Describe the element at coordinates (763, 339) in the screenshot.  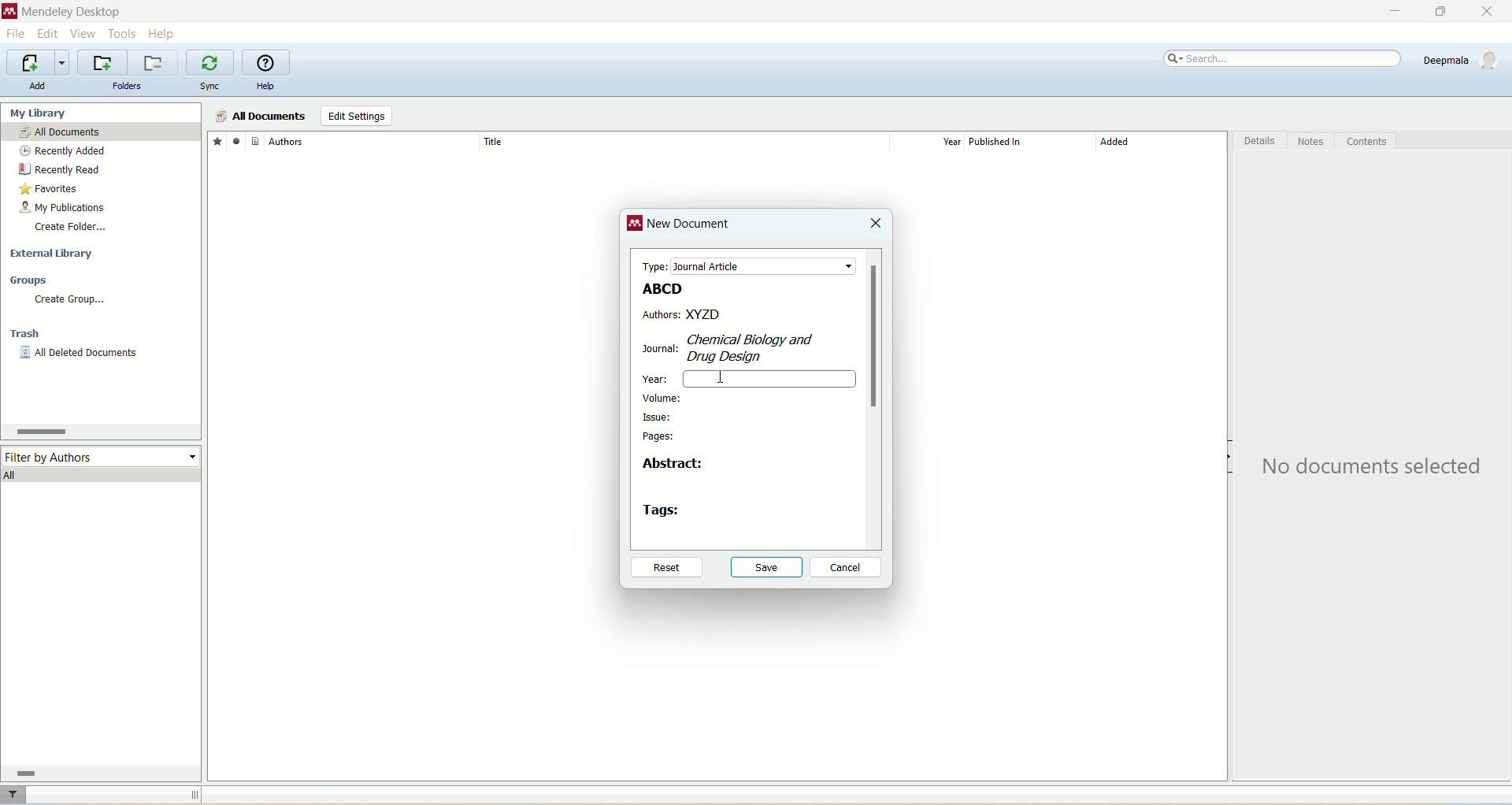
I see `CH` at that location.